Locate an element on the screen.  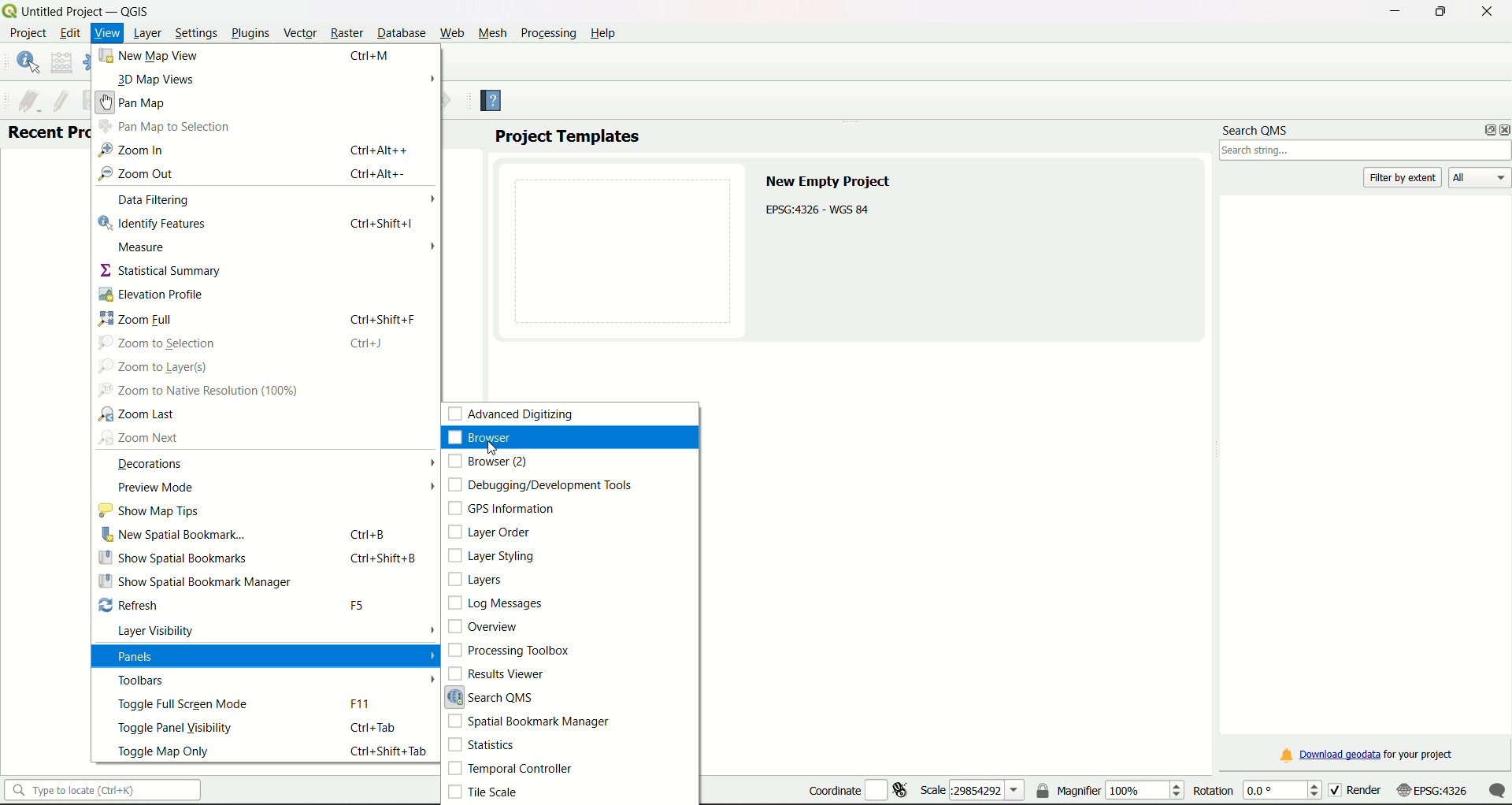
close is located at coordinates (1486, 10).